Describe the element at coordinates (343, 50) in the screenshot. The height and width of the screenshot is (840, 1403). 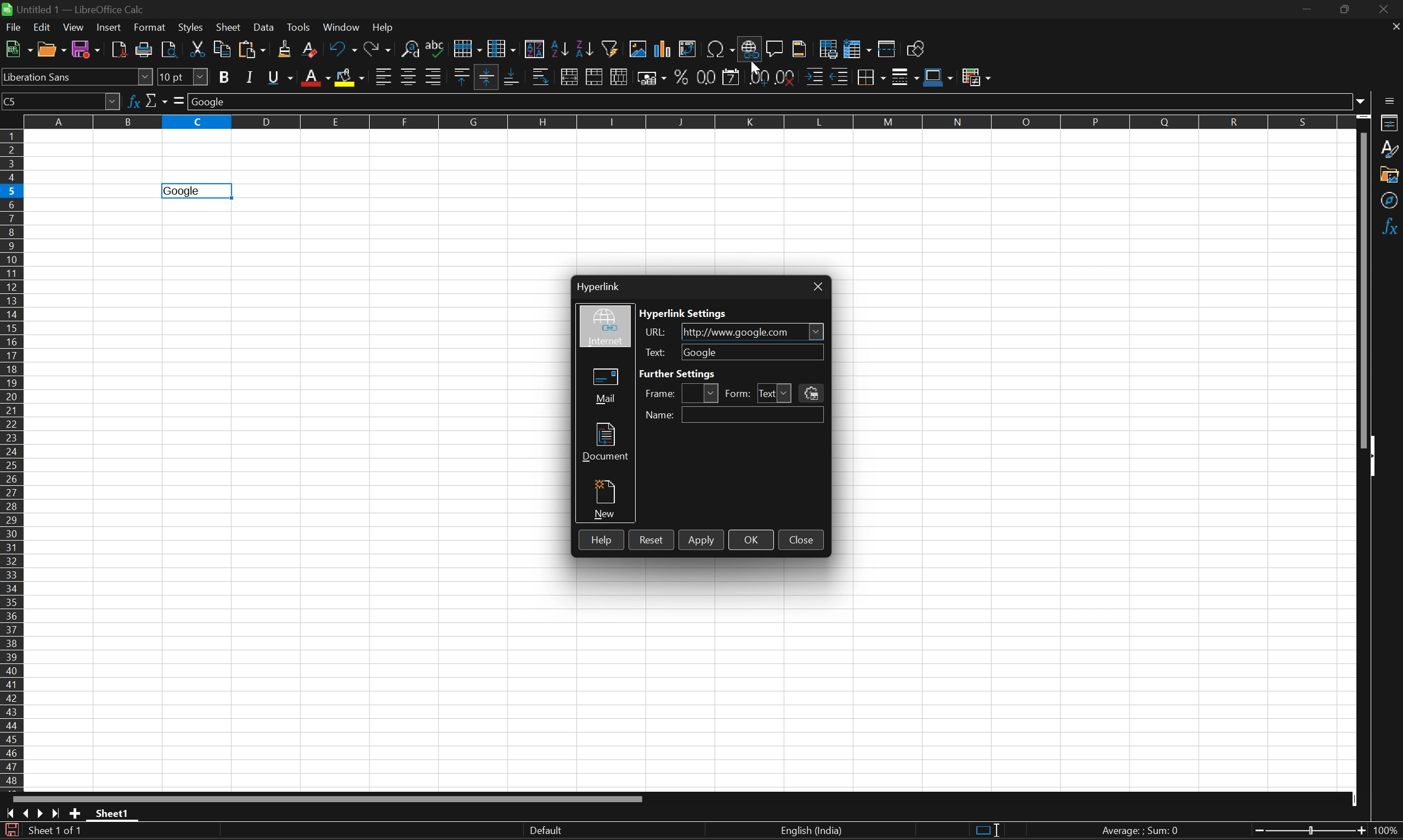
I see `Undo` at that location.